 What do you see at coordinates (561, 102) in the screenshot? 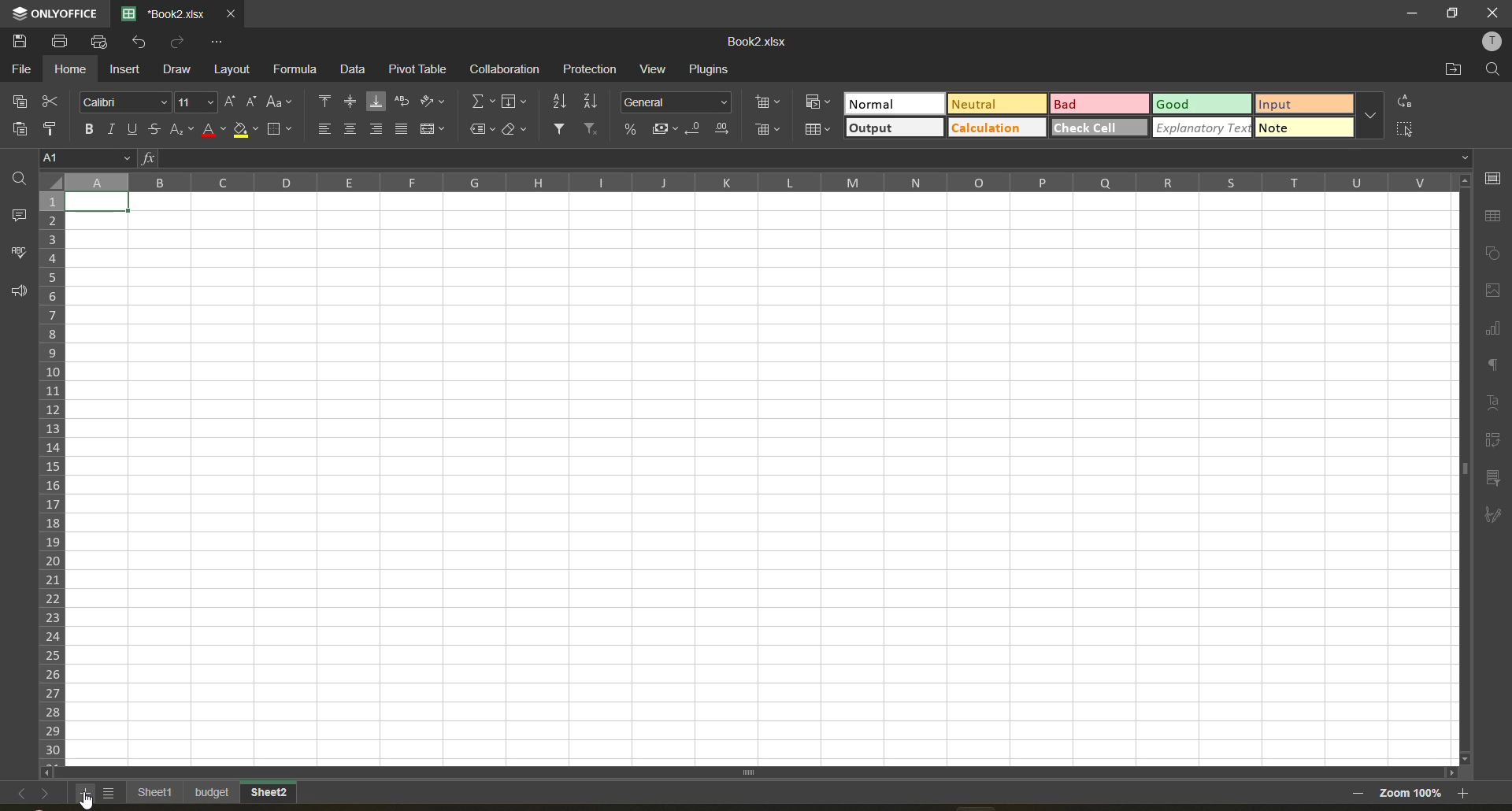
I see `sort ascending` at bounding box center [561, 102].